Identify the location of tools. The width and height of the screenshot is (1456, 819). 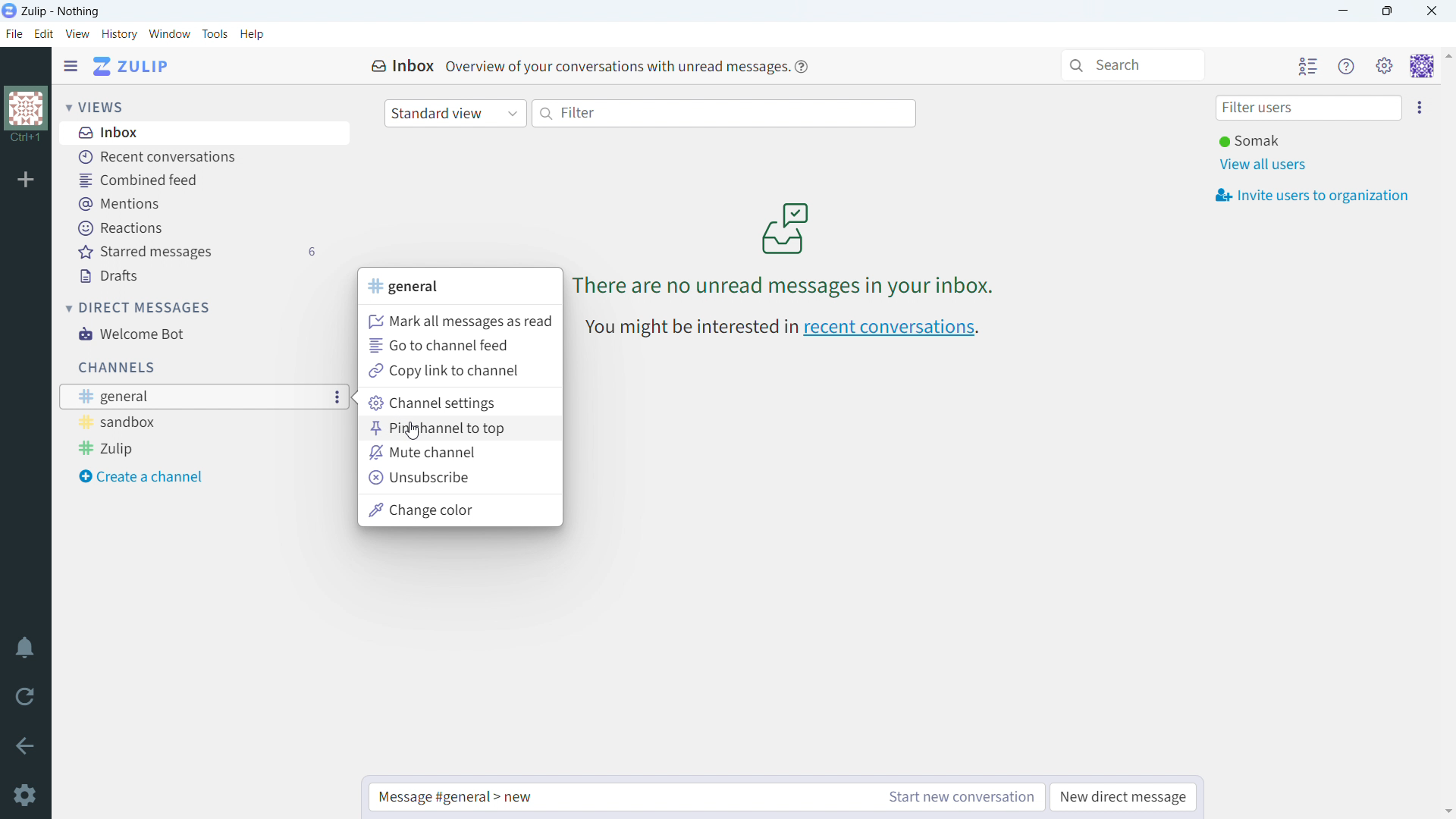
(215, 34).